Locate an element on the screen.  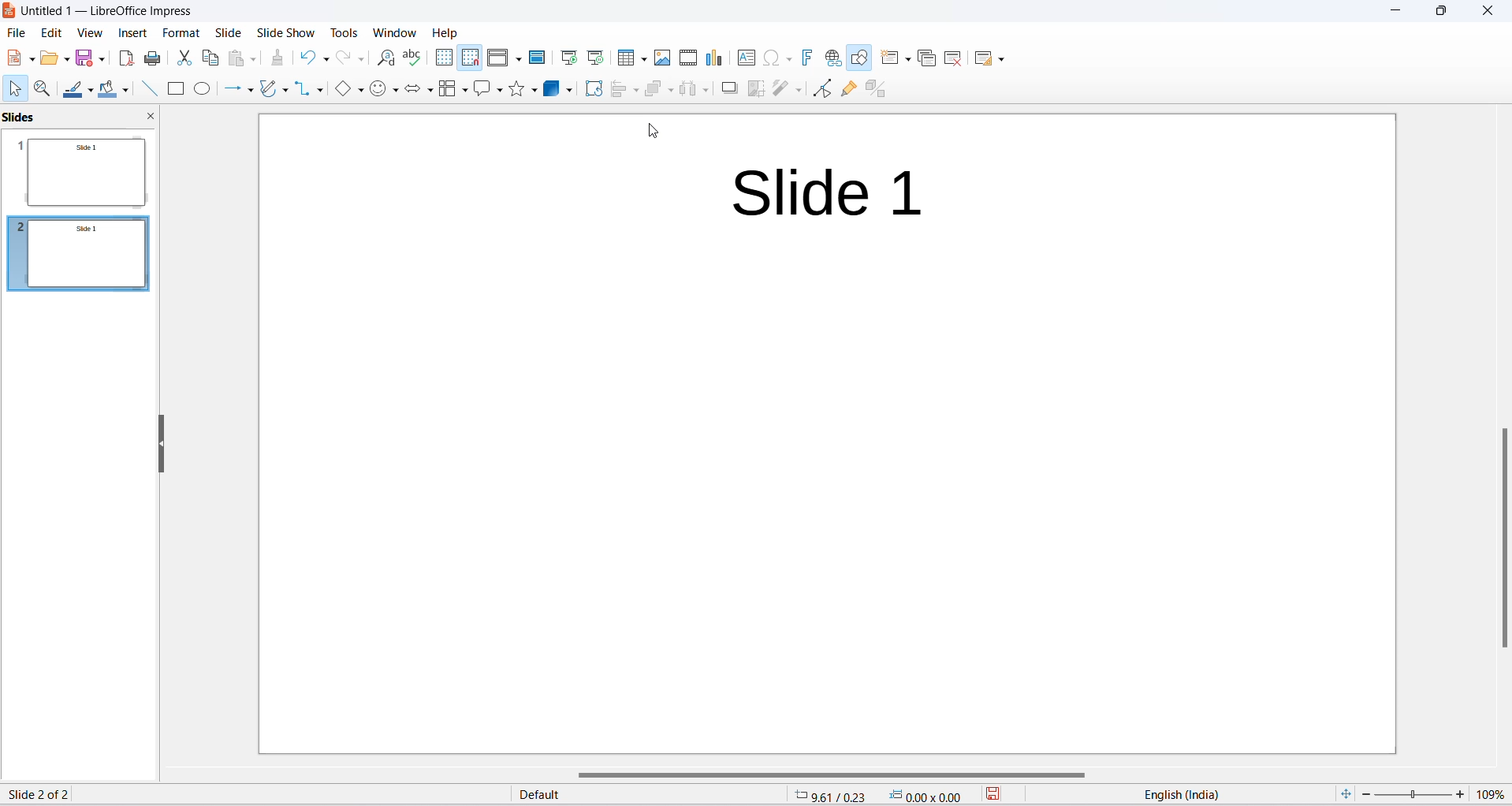
insert fontwork text is located at coordinates (806, 56).